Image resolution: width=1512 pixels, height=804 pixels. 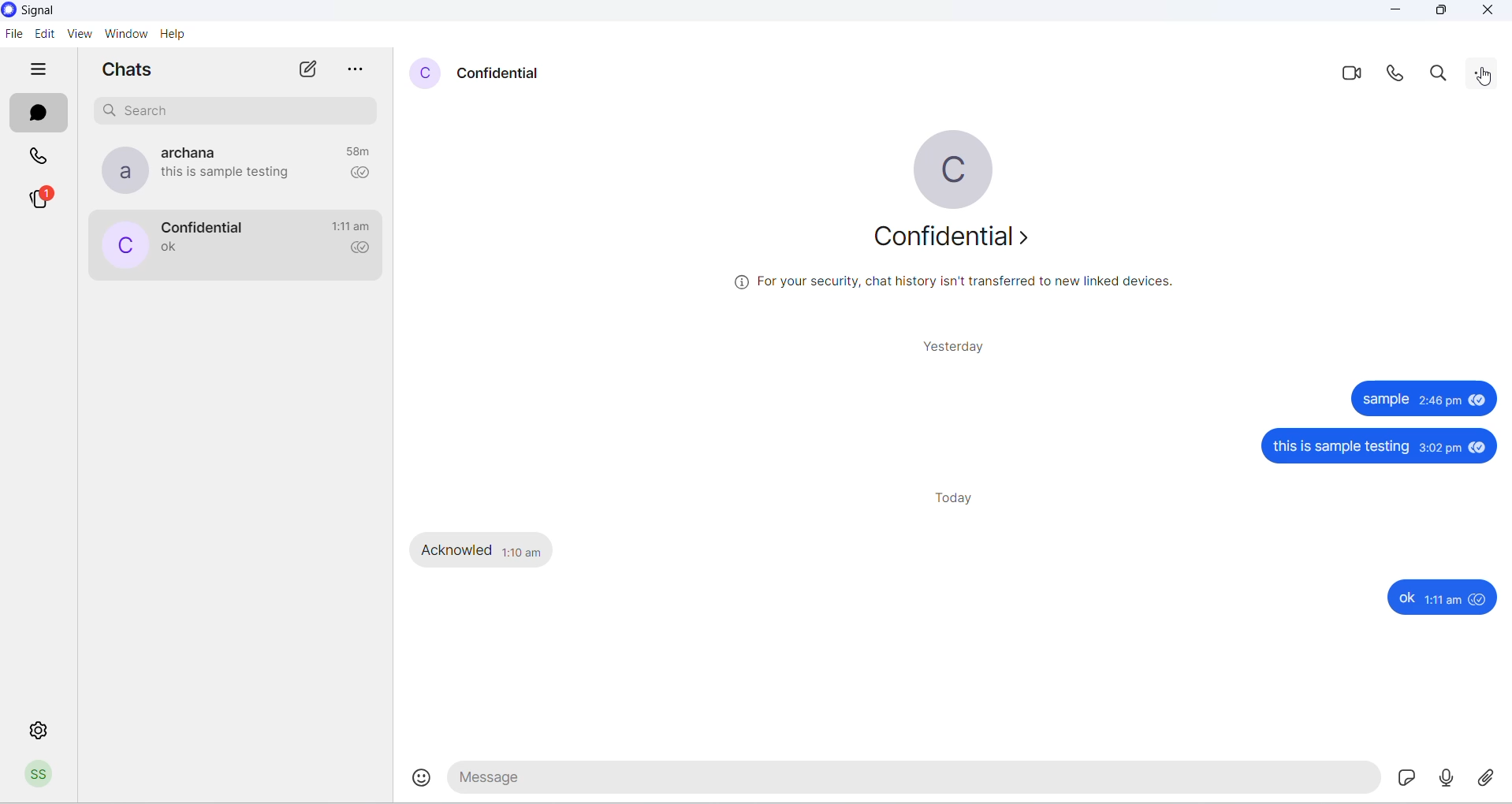 What do you see at coordinates (357, 174) in the screenshot?
I see `read recipient` at bounding box center [357, 174].